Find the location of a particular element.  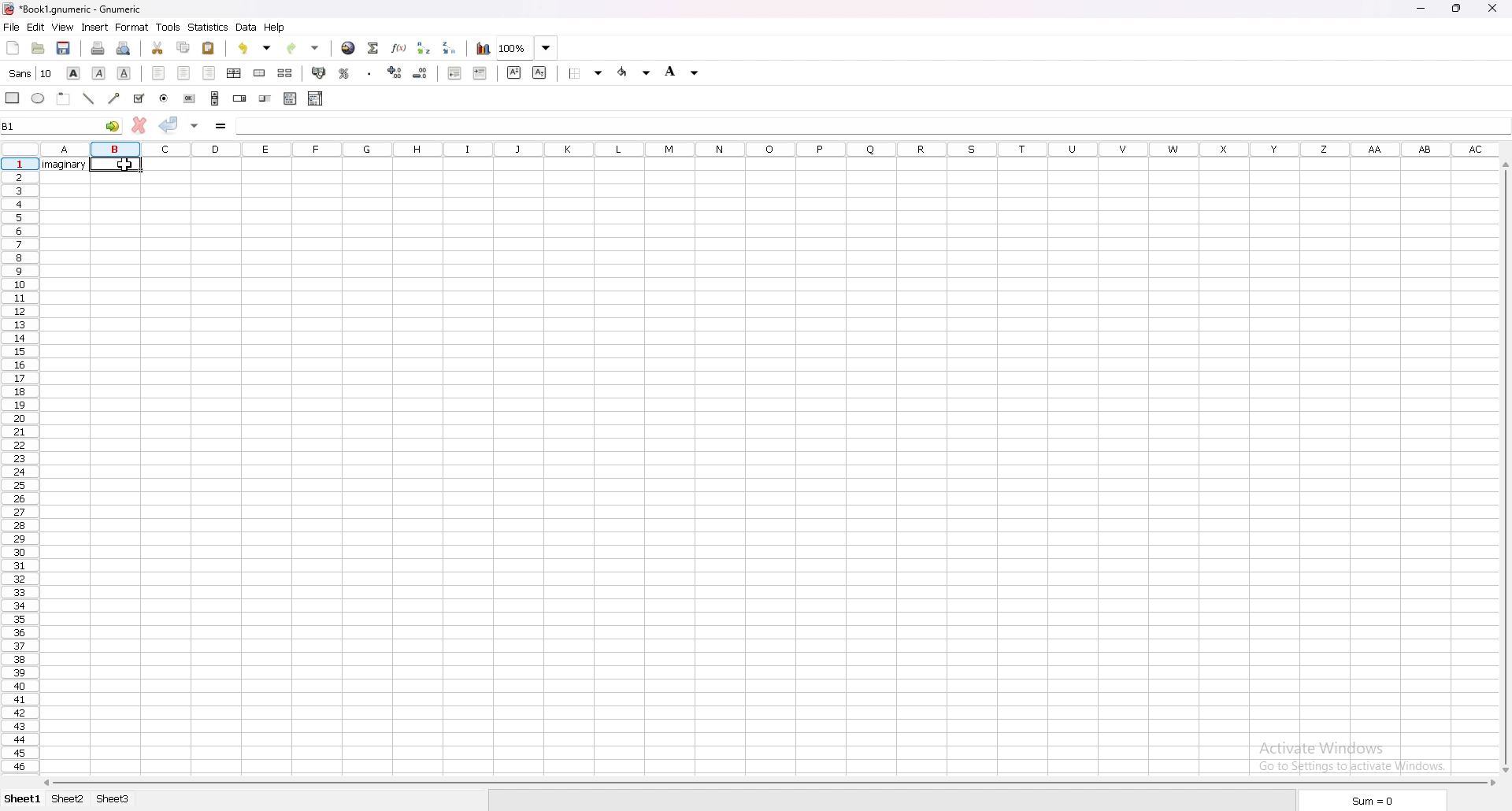

sort ascending is located at coordinates (424, 48).